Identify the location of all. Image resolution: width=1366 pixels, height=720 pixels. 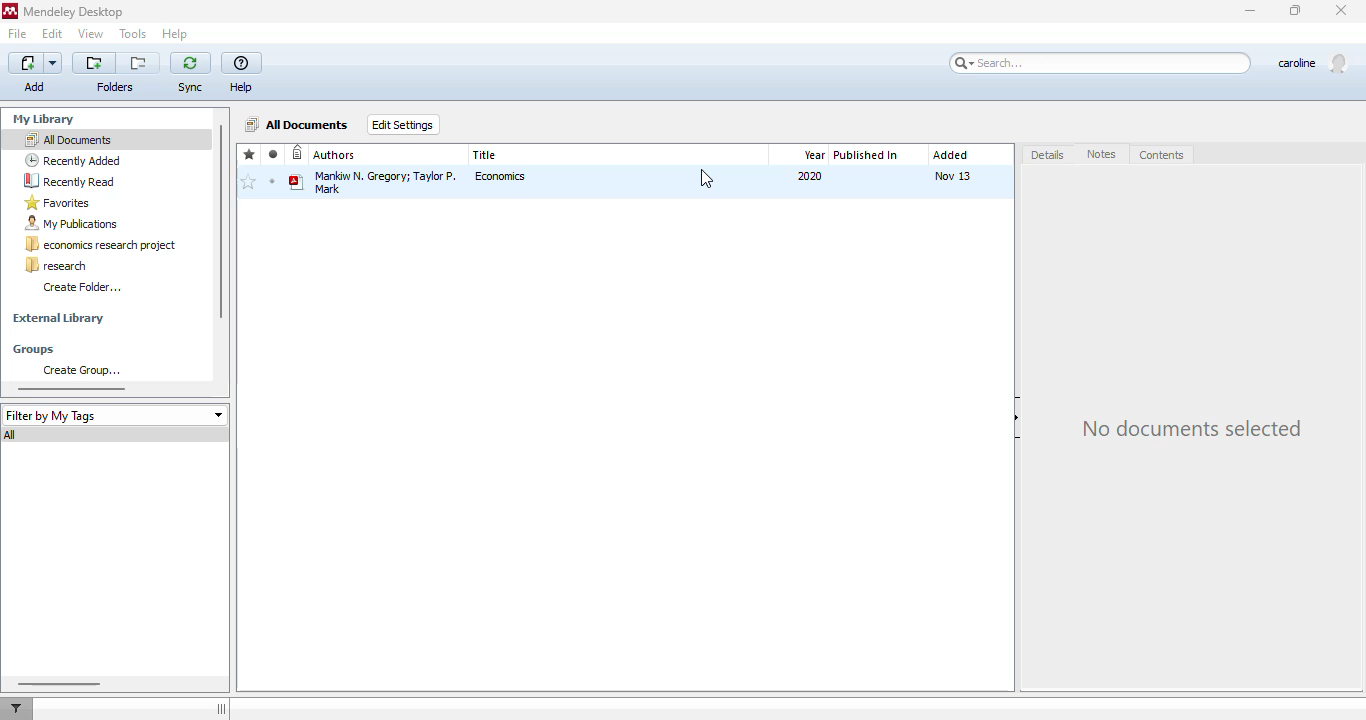
(12, 435).